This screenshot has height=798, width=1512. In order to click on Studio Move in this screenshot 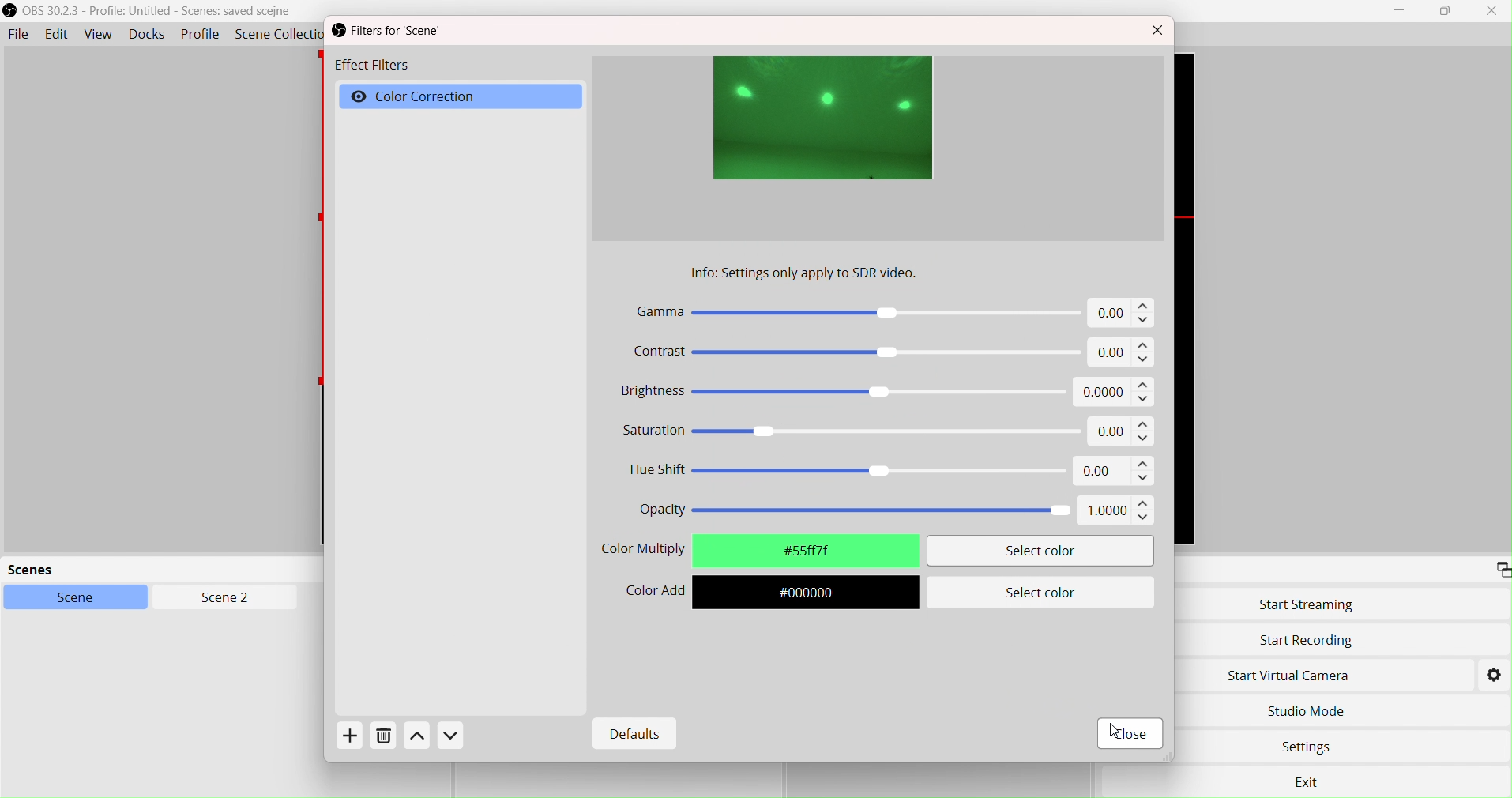, I will do `click(1307, 708)`.